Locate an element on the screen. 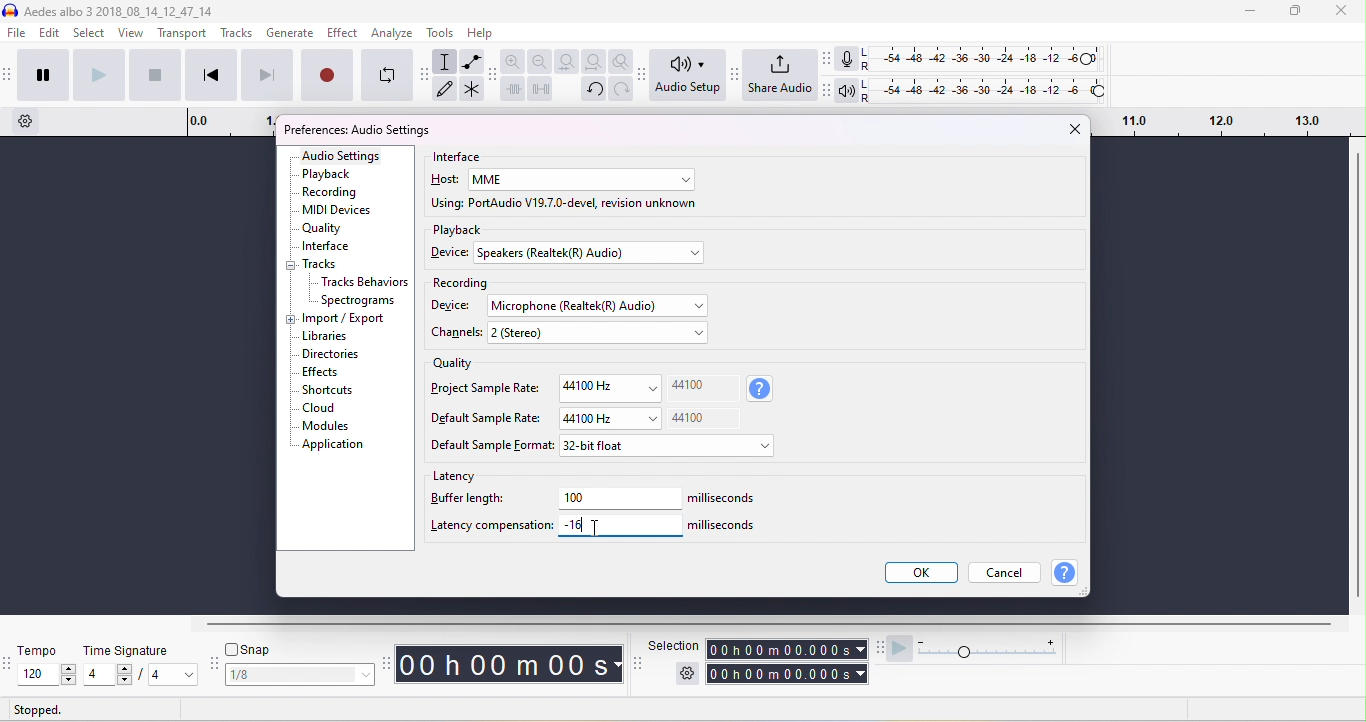  timeline is located at coordinates (230, 122).